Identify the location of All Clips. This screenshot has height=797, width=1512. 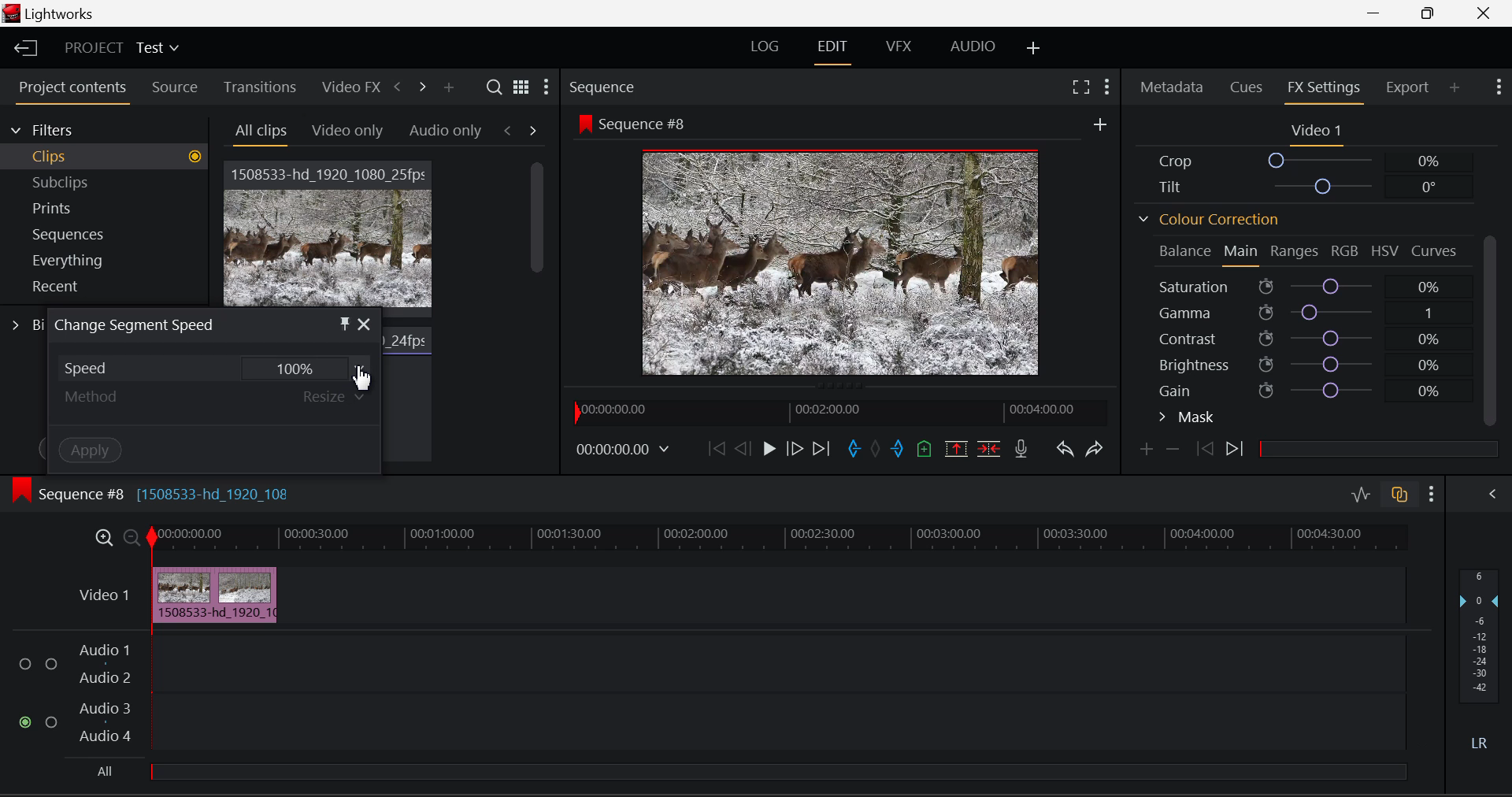
(260, 130).